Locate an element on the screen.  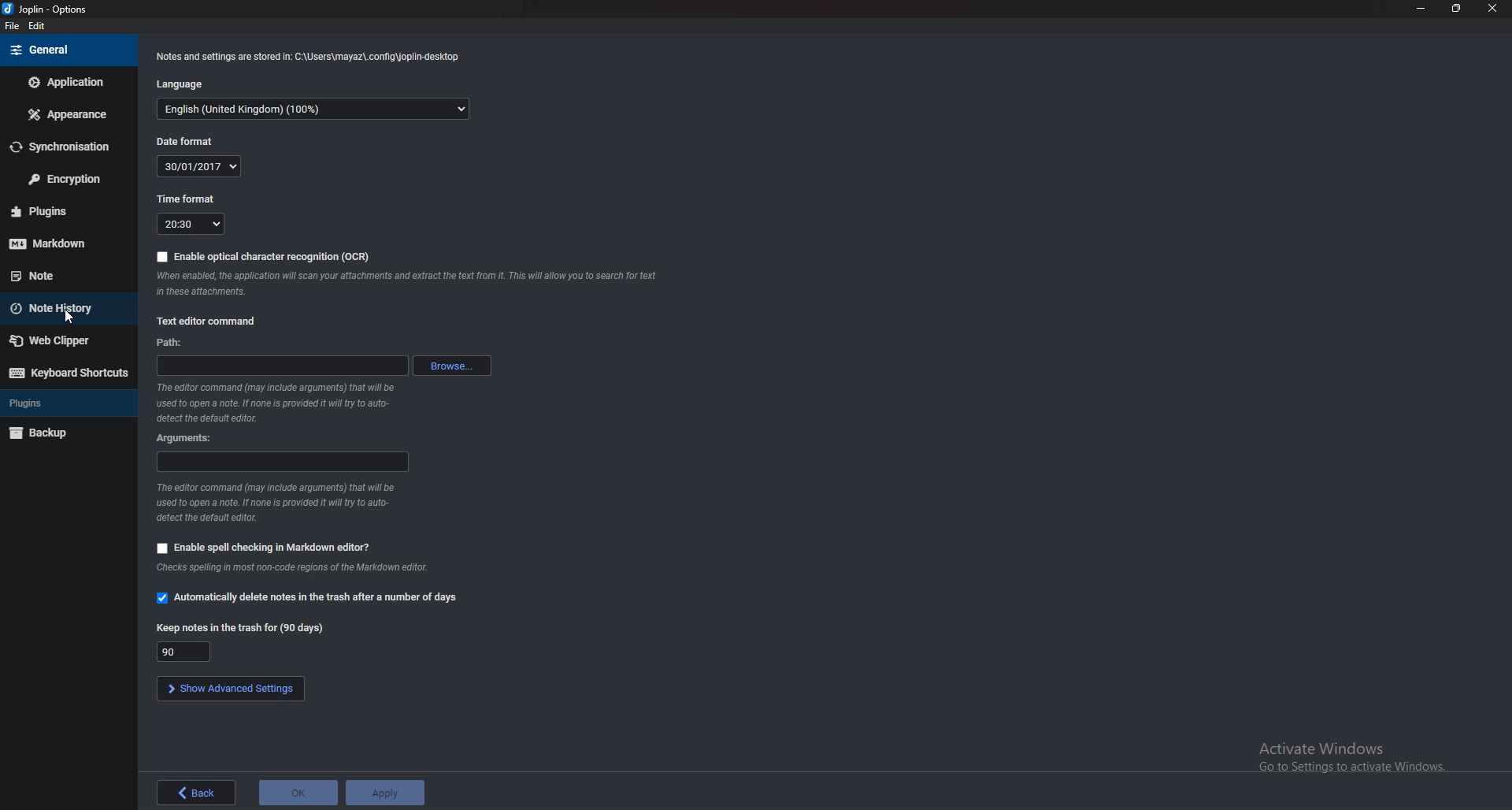
Time format is located at coordinates (191, 225).